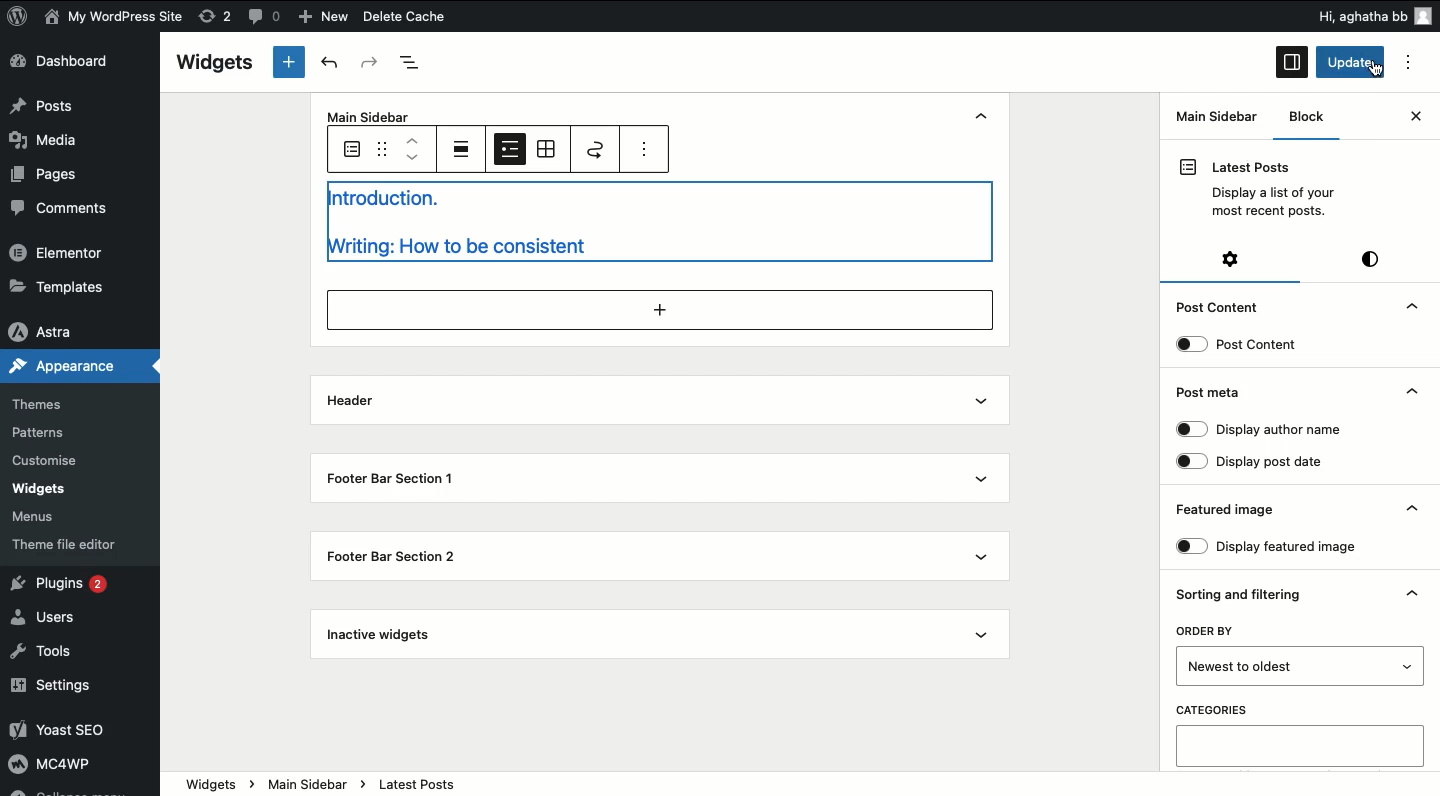  What do you see at coordinates (392, 552) in the screenshot?
I see `Footer bar section 2` at bounding box center [392, 552].